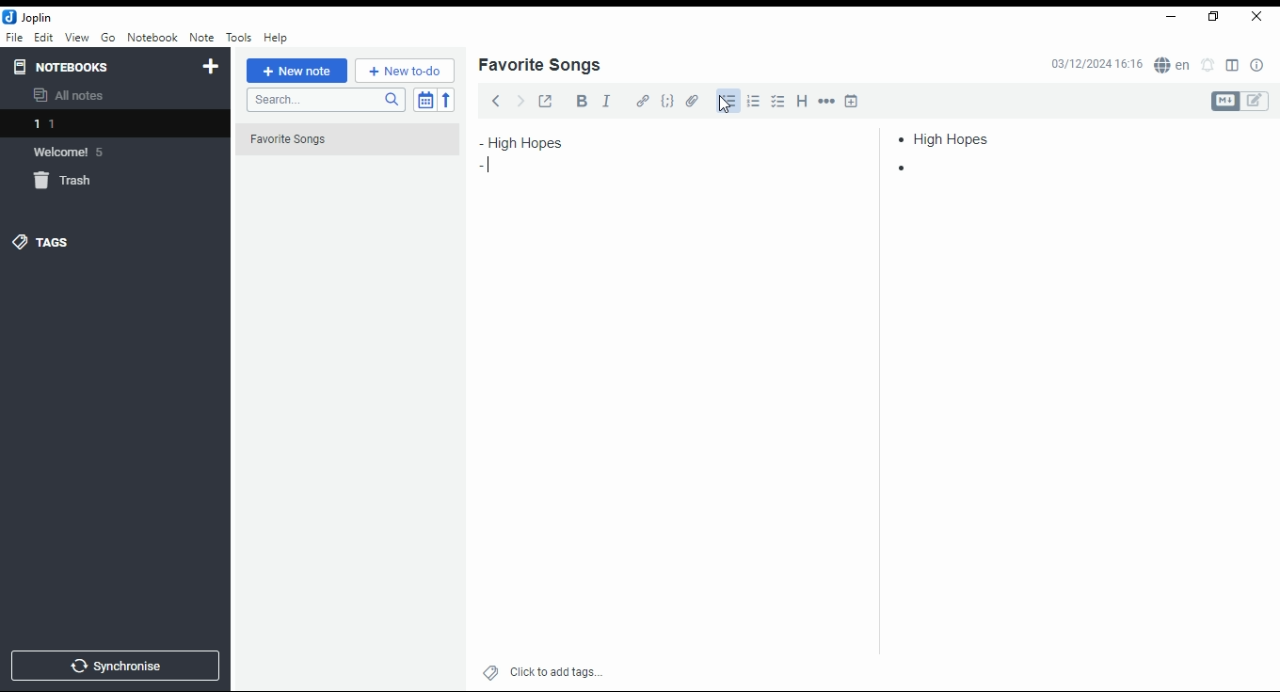 Image resolution: width=1280 pixels, height=692 pixels. What do you see at coordinates (1168, 18) in the screenshot?
I see `minimize` at bounding box center [1168, 18].